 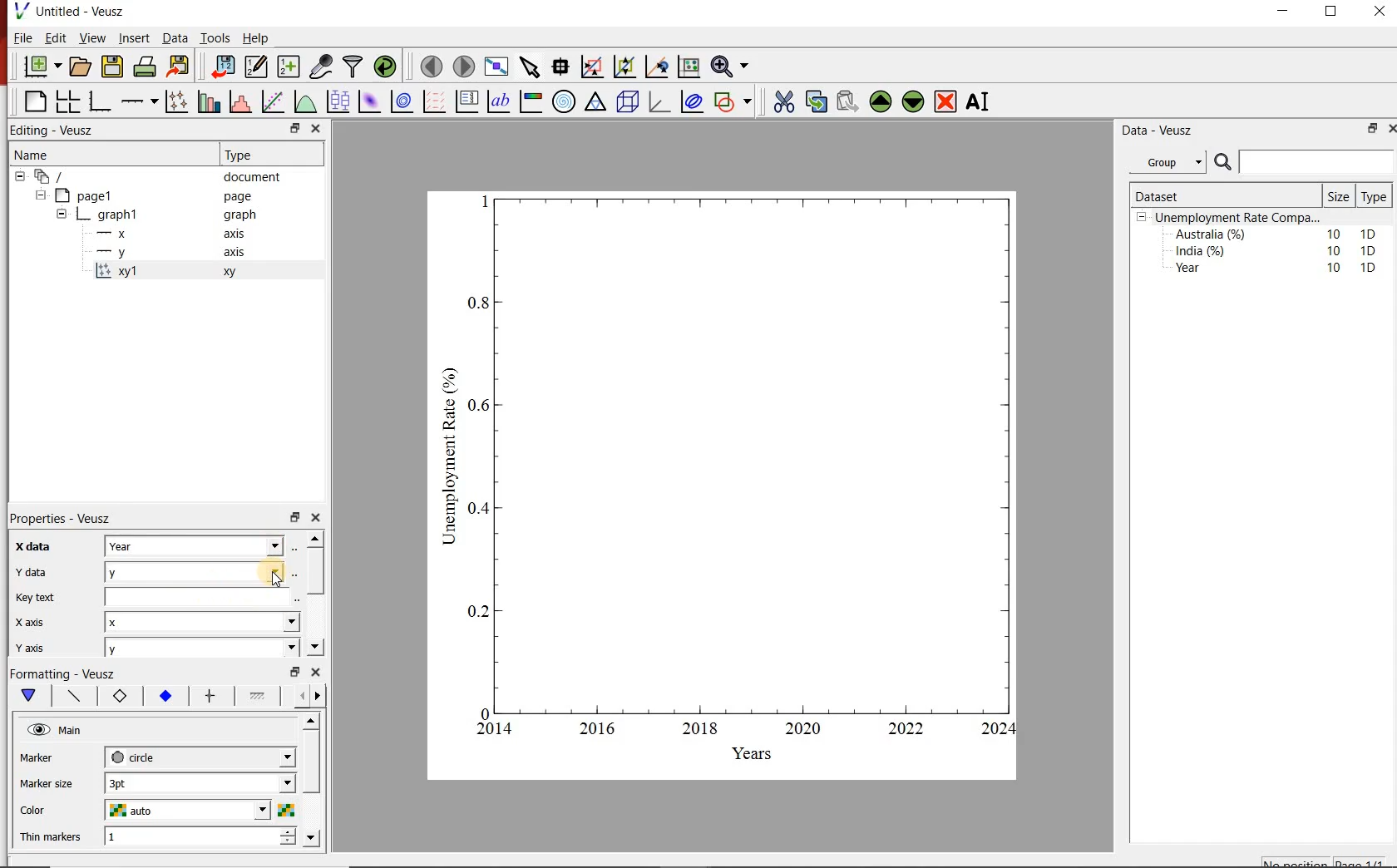 I want to click on y, so click(x=200, y=570).